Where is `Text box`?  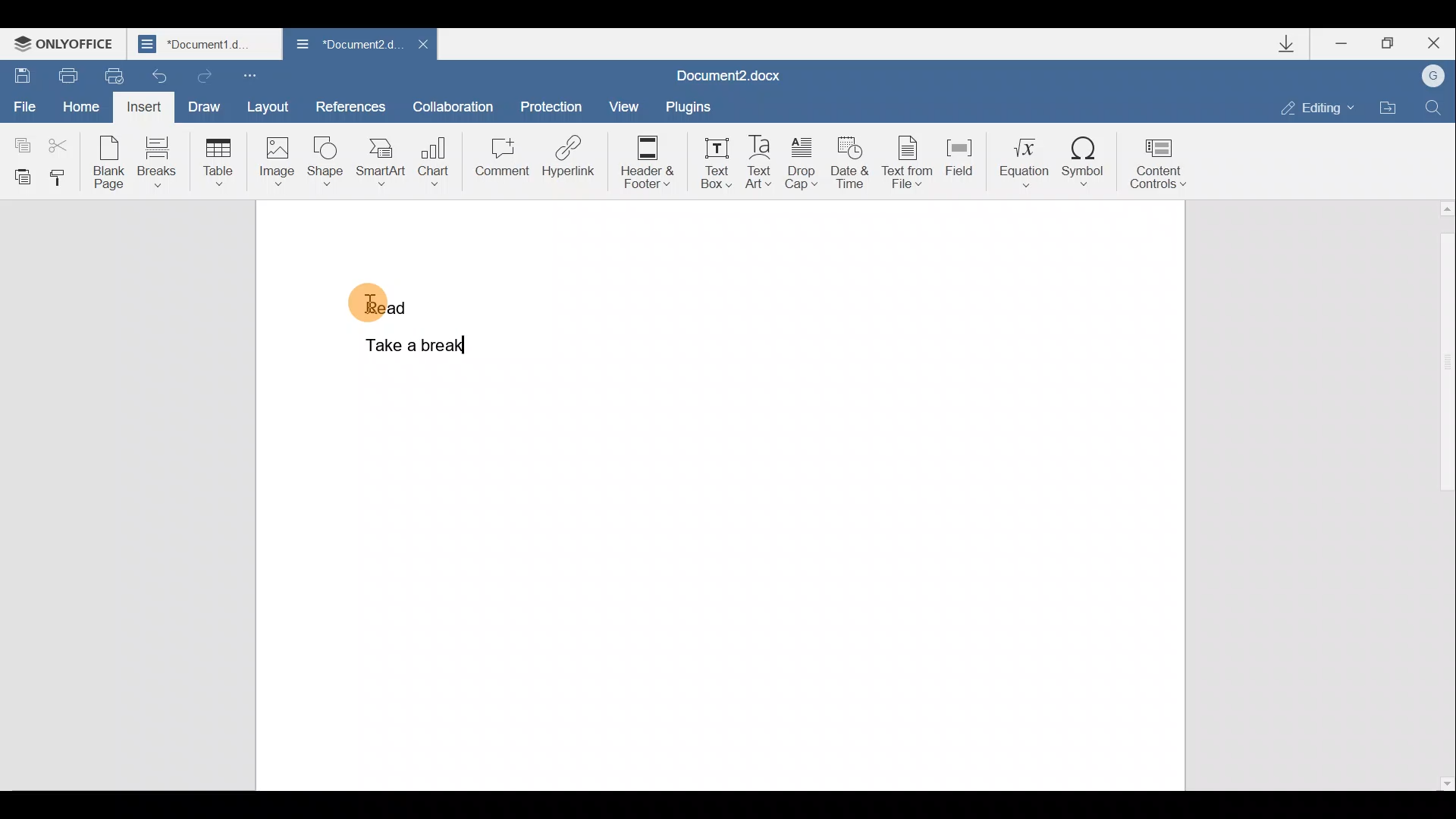
Text box is located at coordinates (716, 162).